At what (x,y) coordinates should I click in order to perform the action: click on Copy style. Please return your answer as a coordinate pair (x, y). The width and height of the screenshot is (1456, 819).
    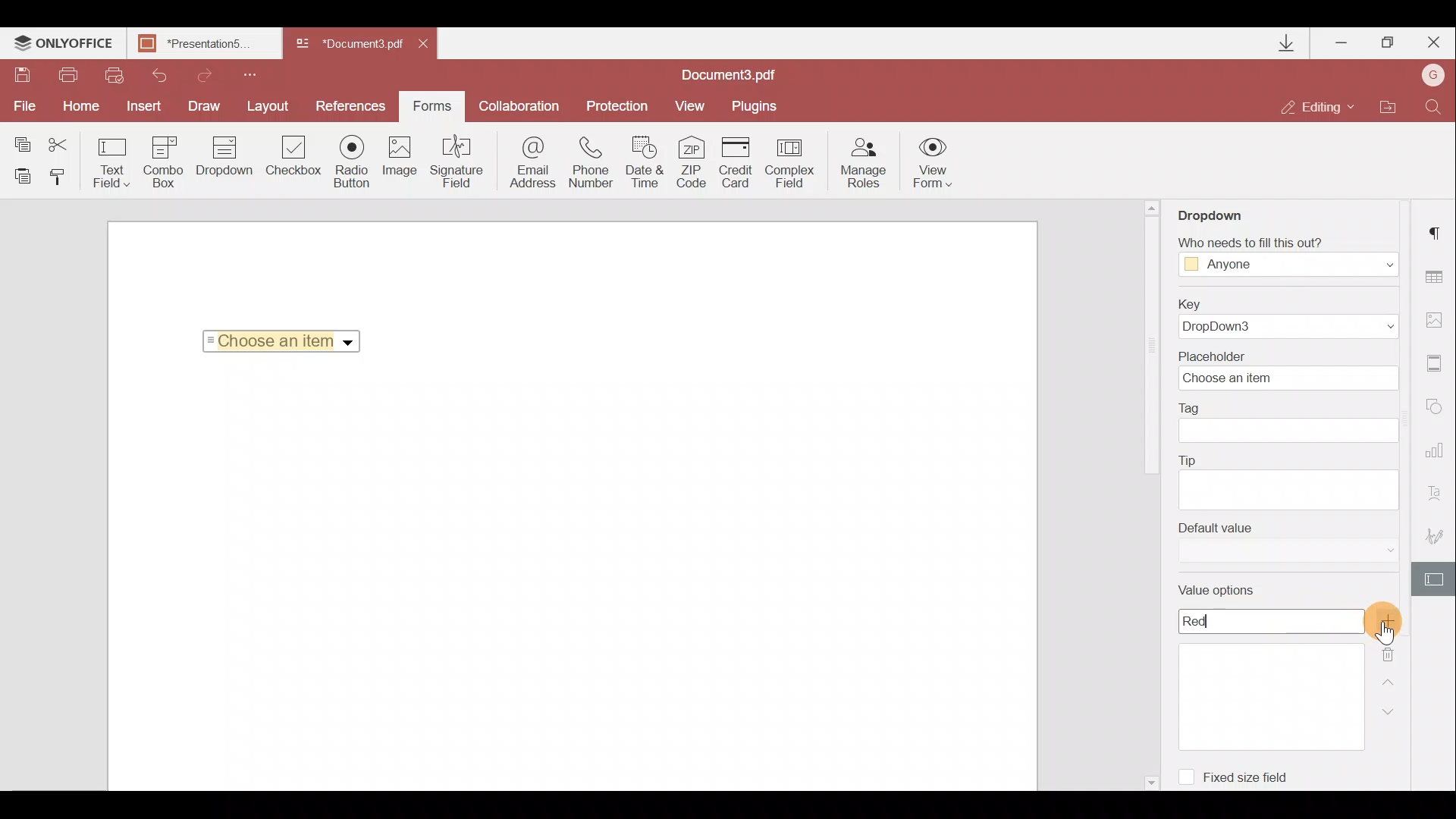
    Looking at the image, I should click on (63, 180).